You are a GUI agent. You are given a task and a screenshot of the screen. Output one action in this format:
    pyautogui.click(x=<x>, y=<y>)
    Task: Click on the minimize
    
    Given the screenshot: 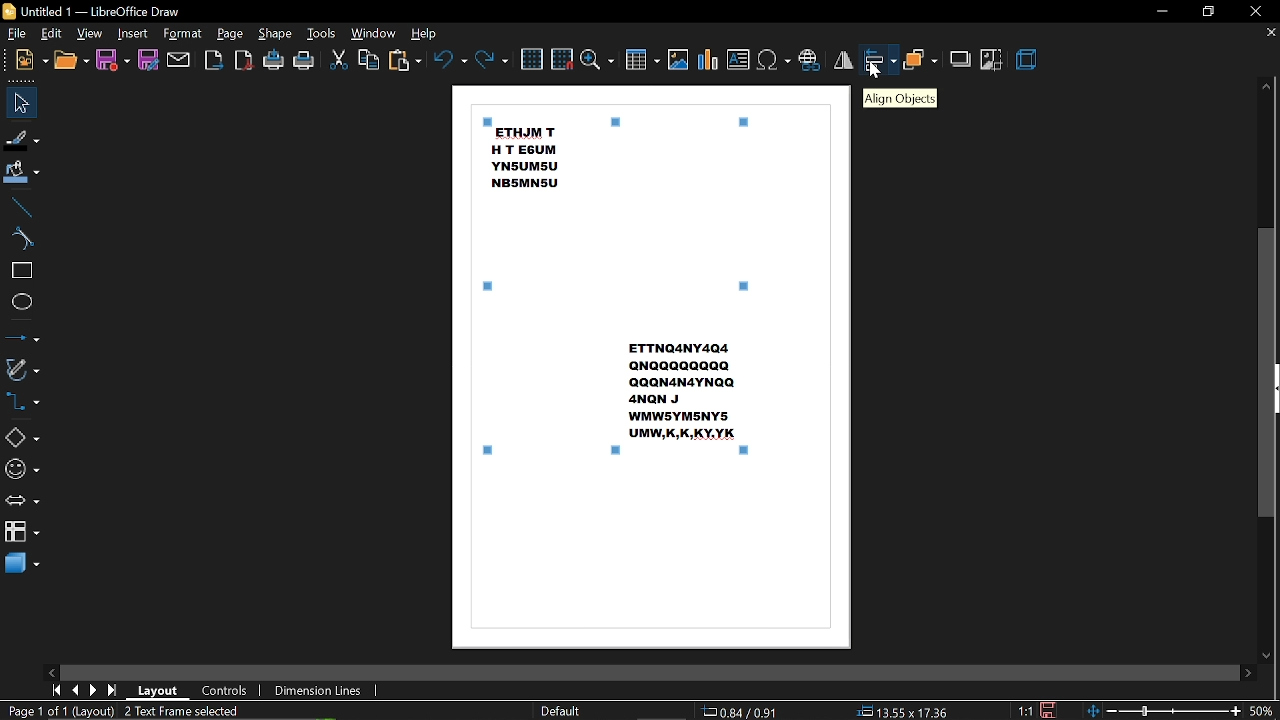 What is the action you would take?
    pyautogui.click(x=1161, y=10)
    